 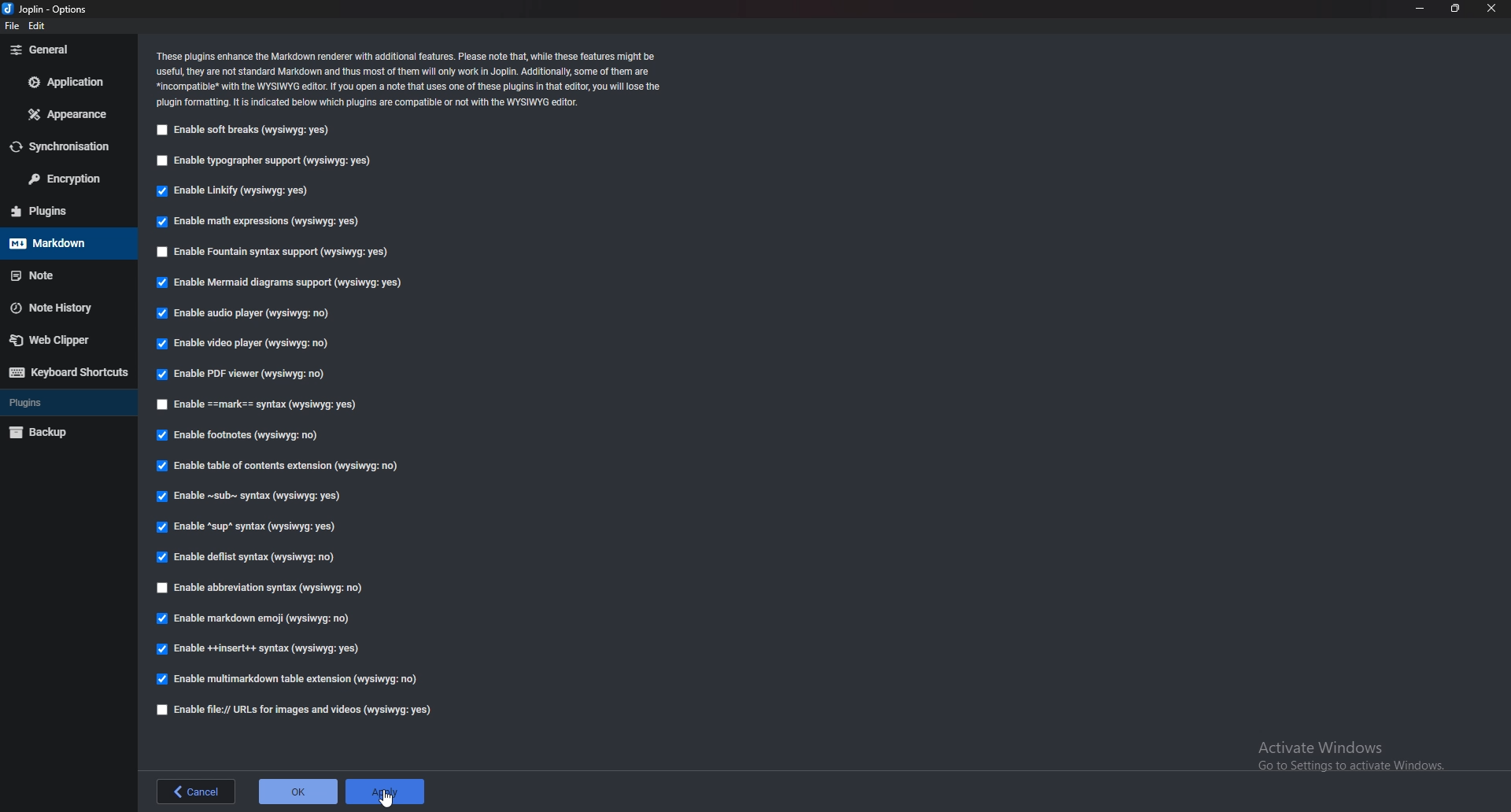 What do you see at coordinates (246, 315) in the screenshot?
I see `Enable audio player` at bounding box center [246, 315].